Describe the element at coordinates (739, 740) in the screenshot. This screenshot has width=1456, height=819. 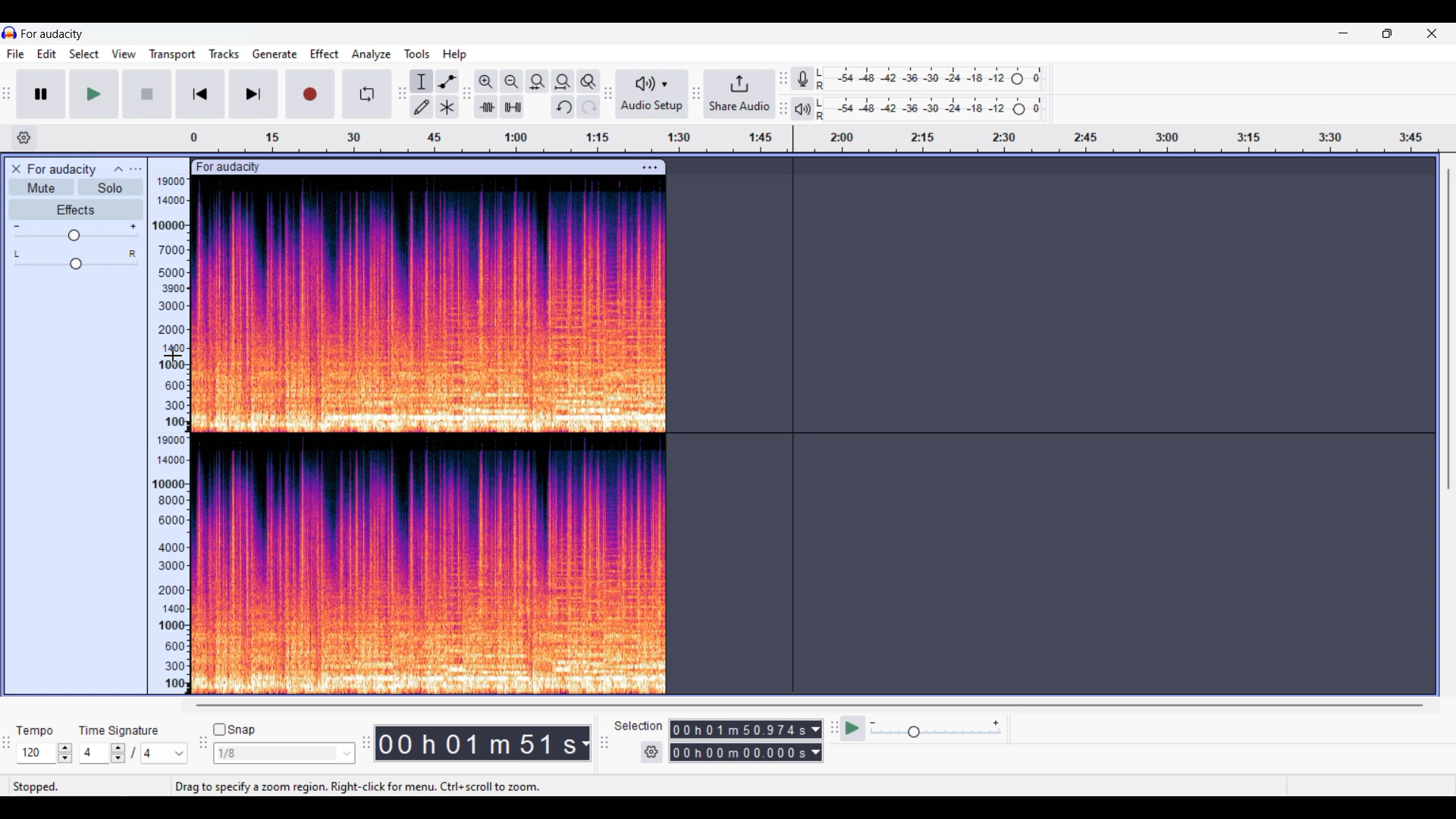
I see `Selection duration` at that location.